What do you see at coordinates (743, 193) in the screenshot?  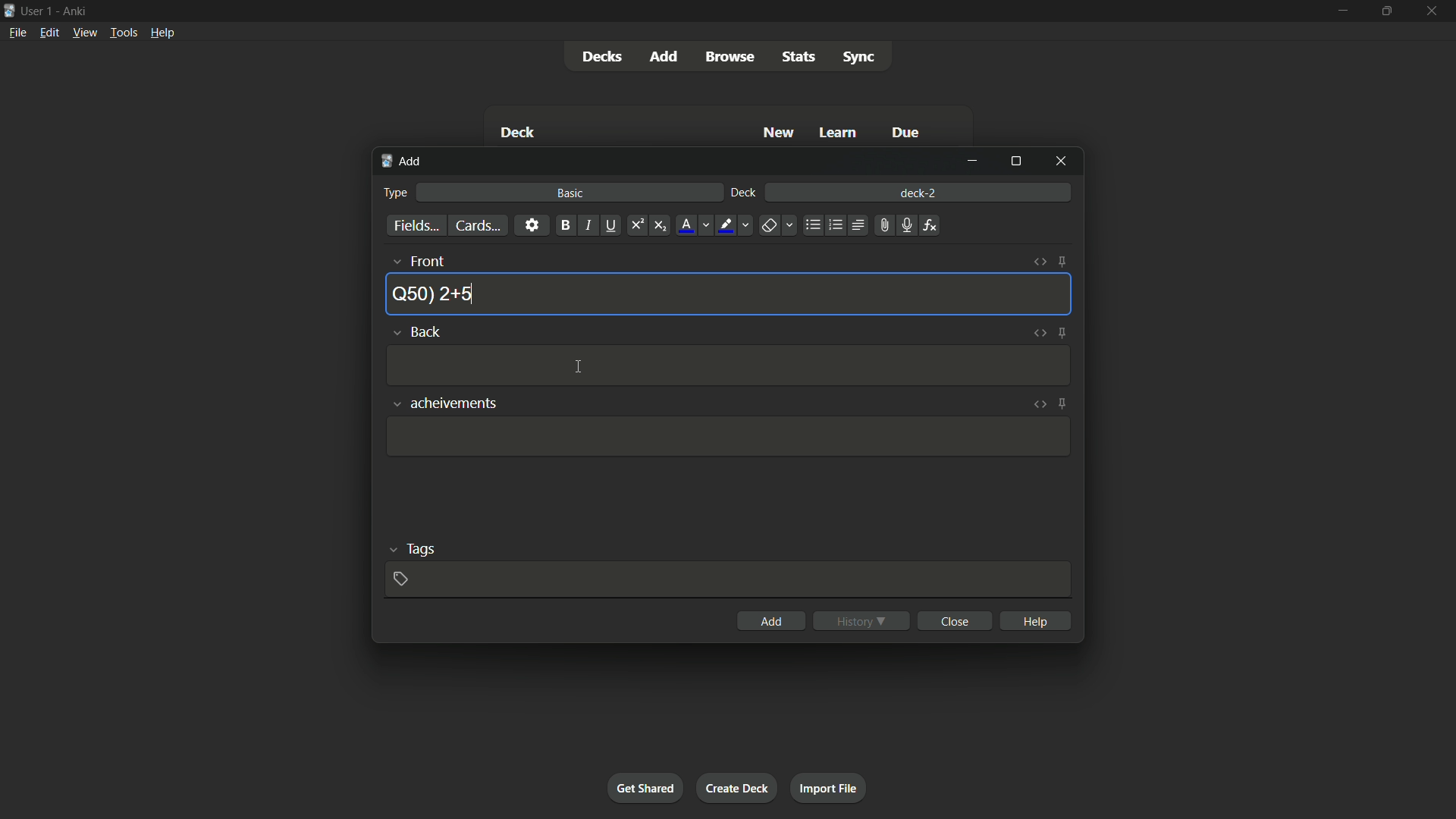 I see `deck` at bounding box center [743, 193].